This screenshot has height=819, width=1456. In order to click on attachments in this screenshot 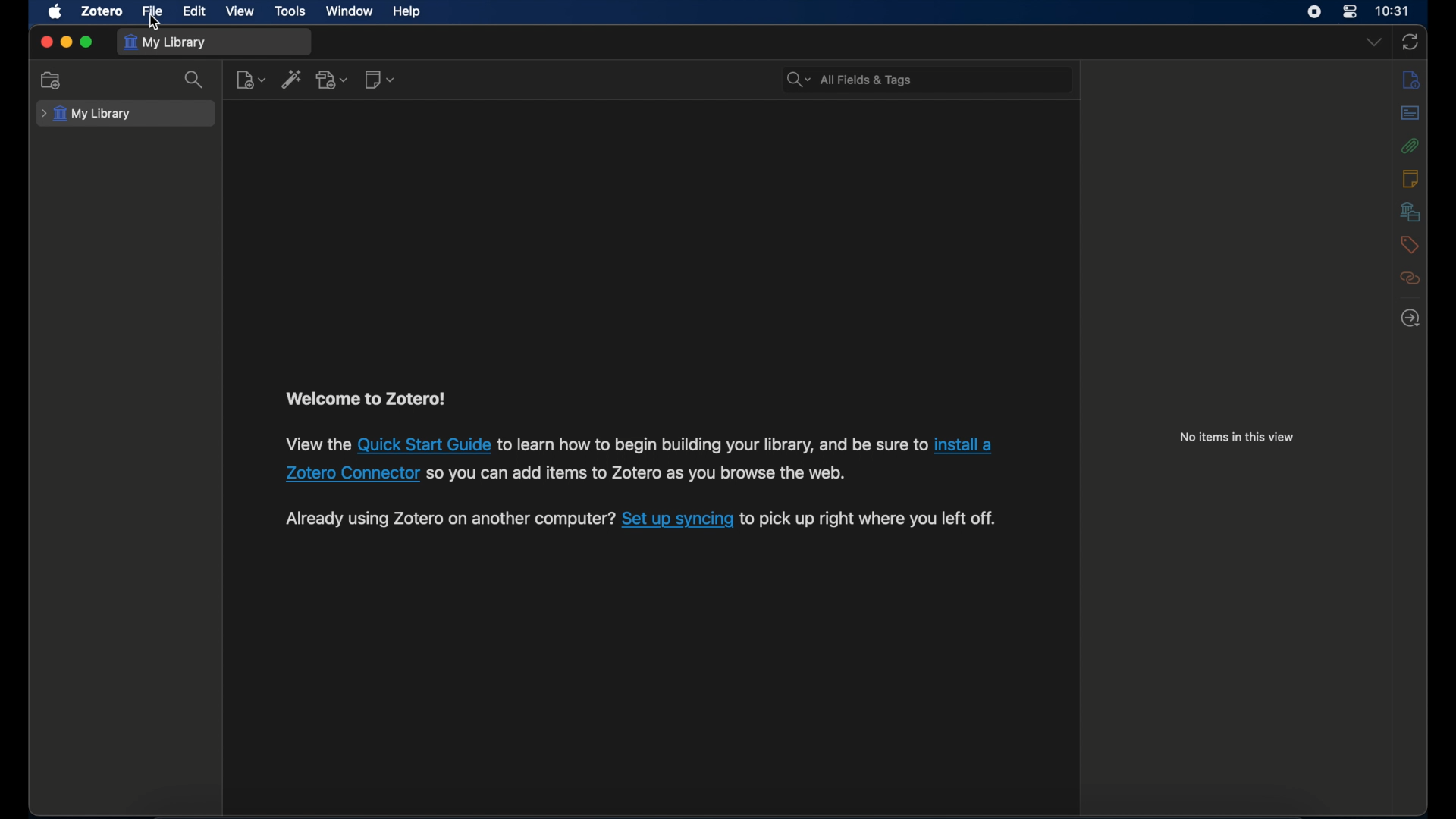, I will do `click(1410, 146)`.